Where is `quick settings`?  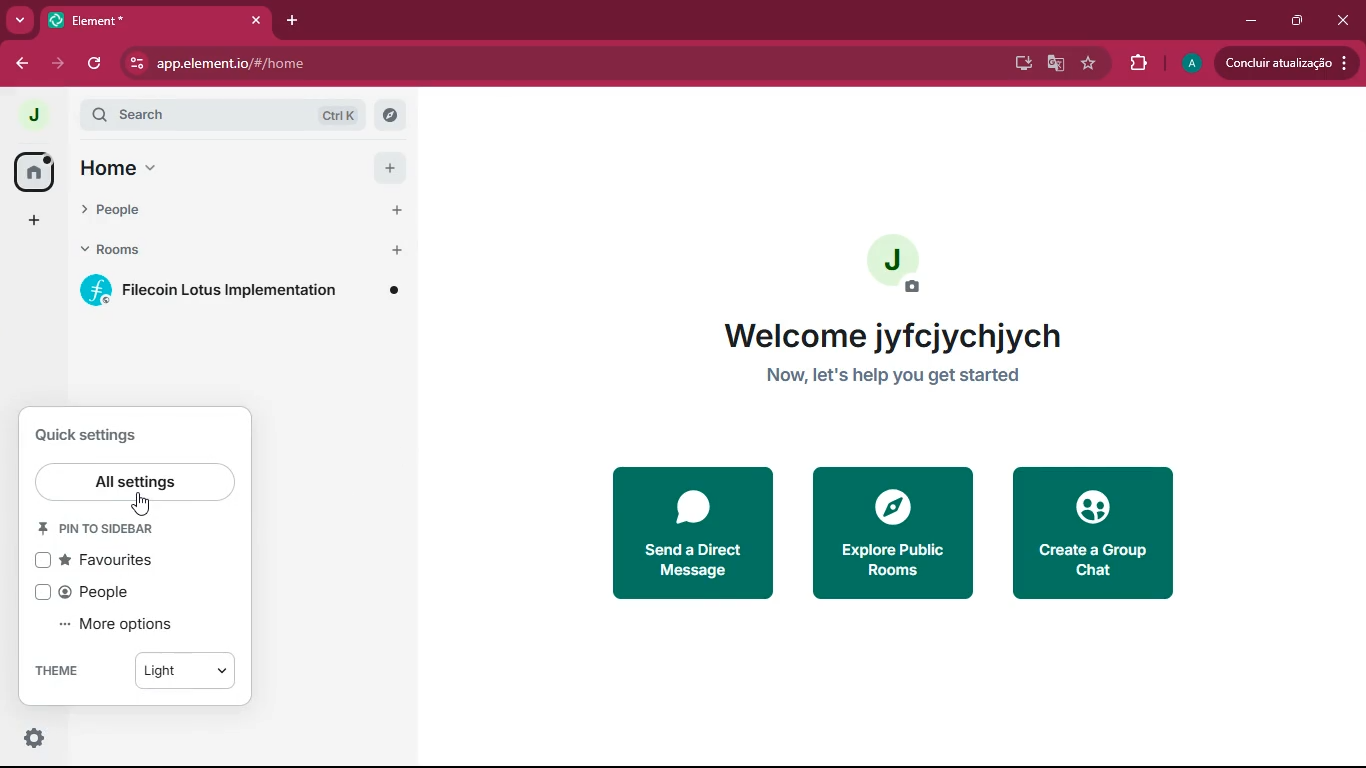 quick settings is located at coordinates (35, 737).